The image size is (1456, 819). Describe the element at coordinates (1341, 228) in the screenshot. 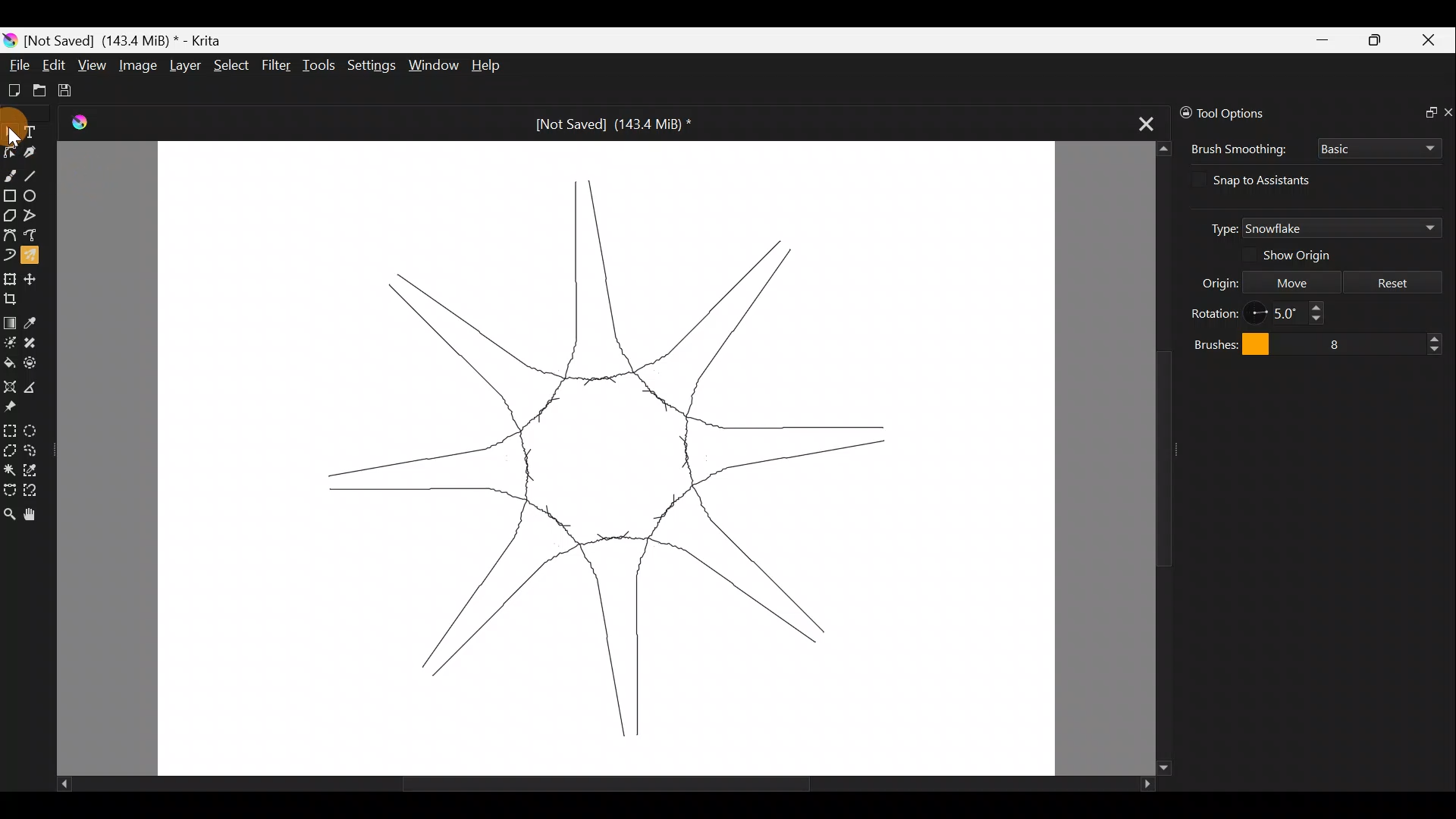

I see `Snowflake` at that location.